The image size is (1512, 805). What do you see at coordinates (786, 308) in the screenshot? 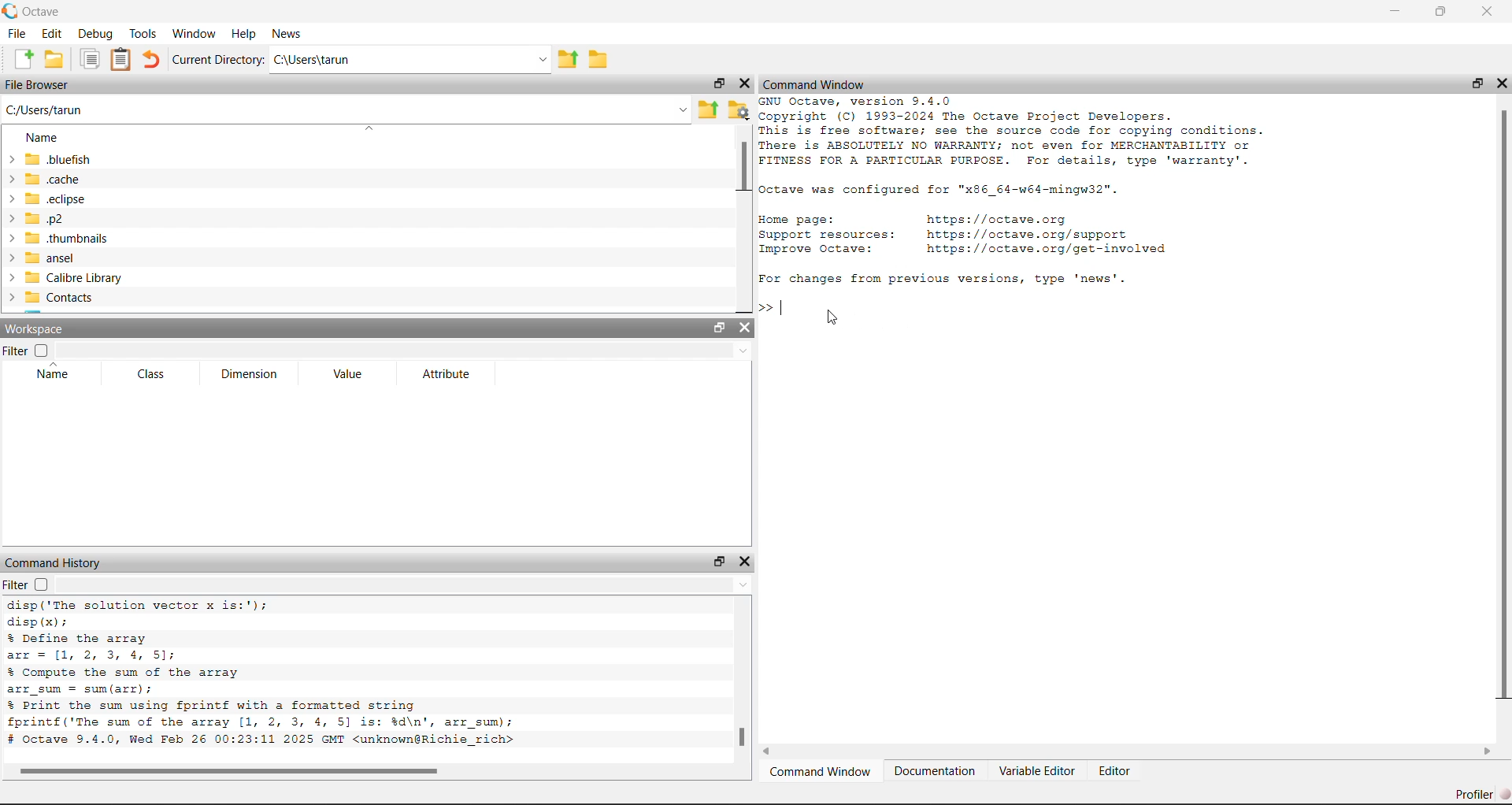
I see `Tap text` at bounding box center [786, 308].